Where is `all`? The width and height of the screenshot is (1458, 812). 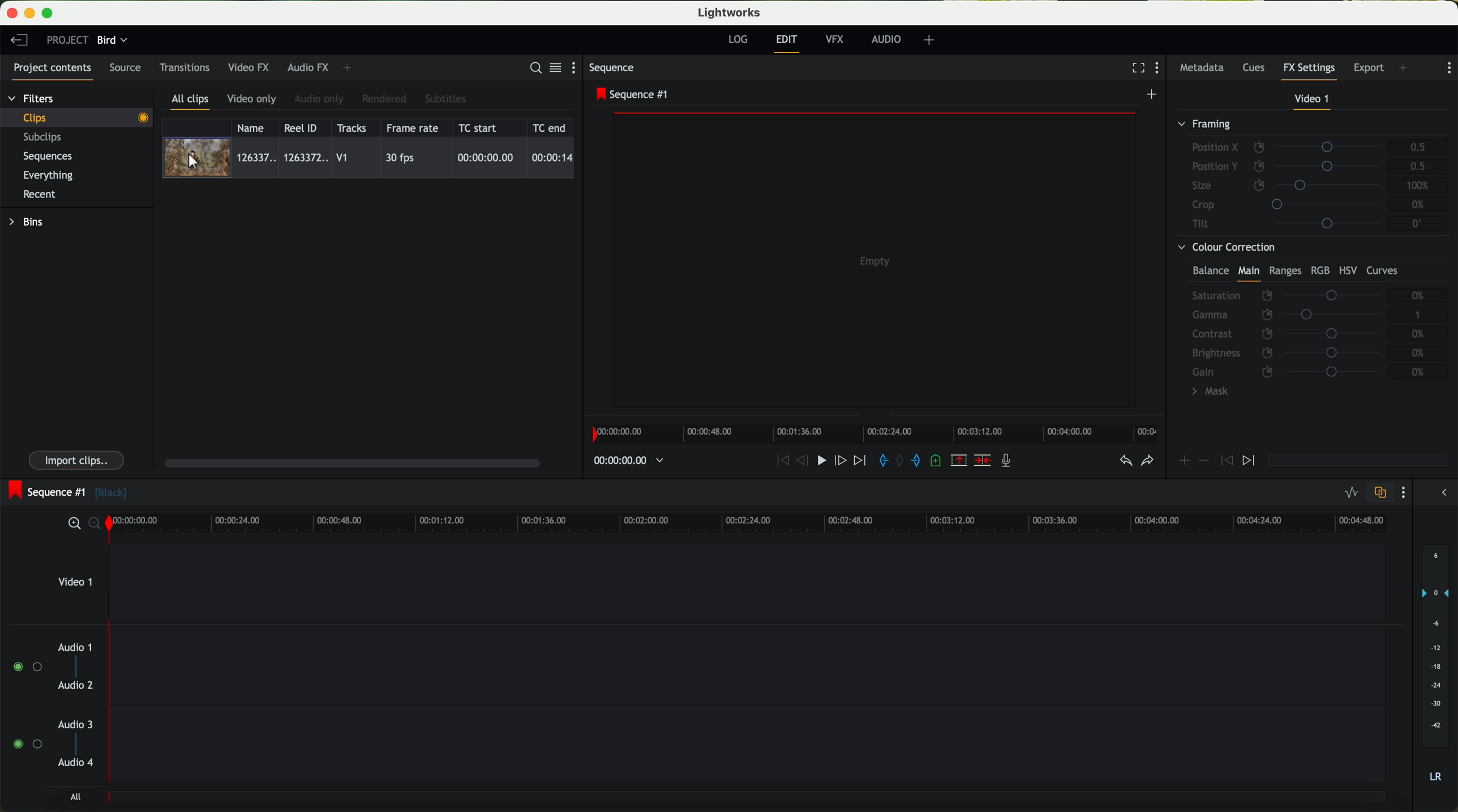 all is located at coordinates (75, 797).